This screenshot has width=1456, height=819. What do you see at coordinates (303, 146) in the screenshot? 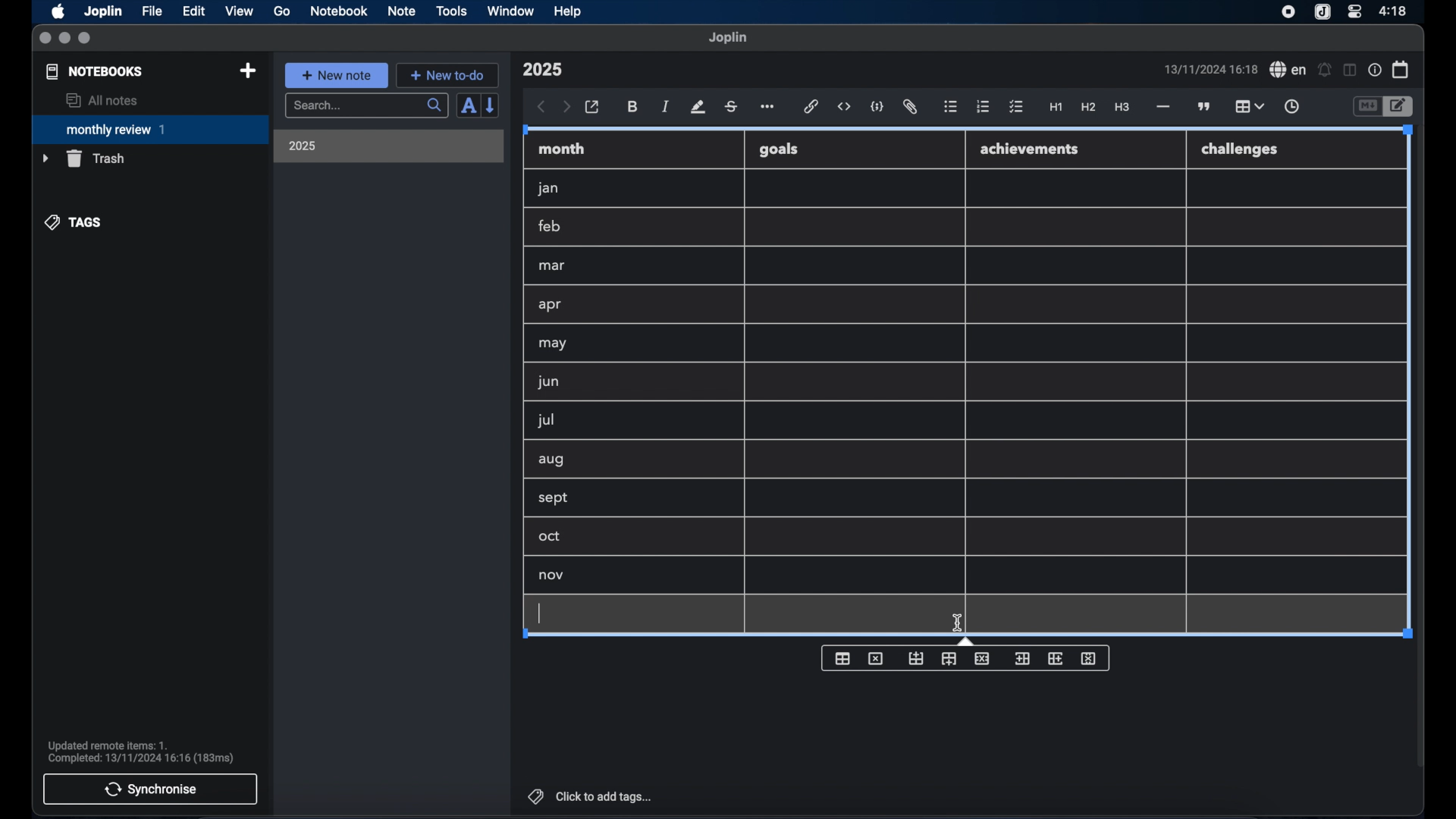
I see `2025` at bounding box center [303, 146].